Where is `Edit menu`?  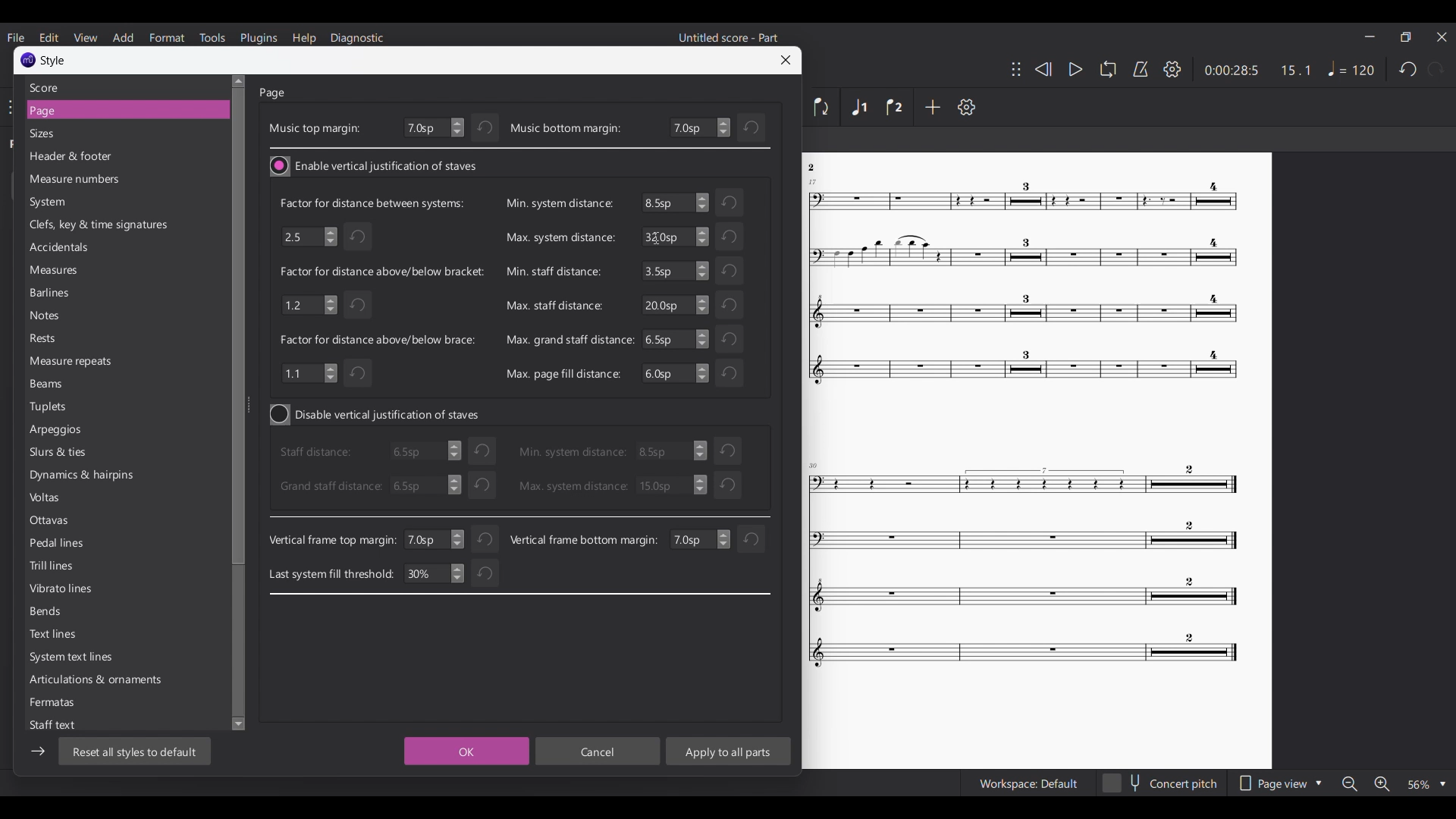 Edit menu is located at coordinates (49, 36).